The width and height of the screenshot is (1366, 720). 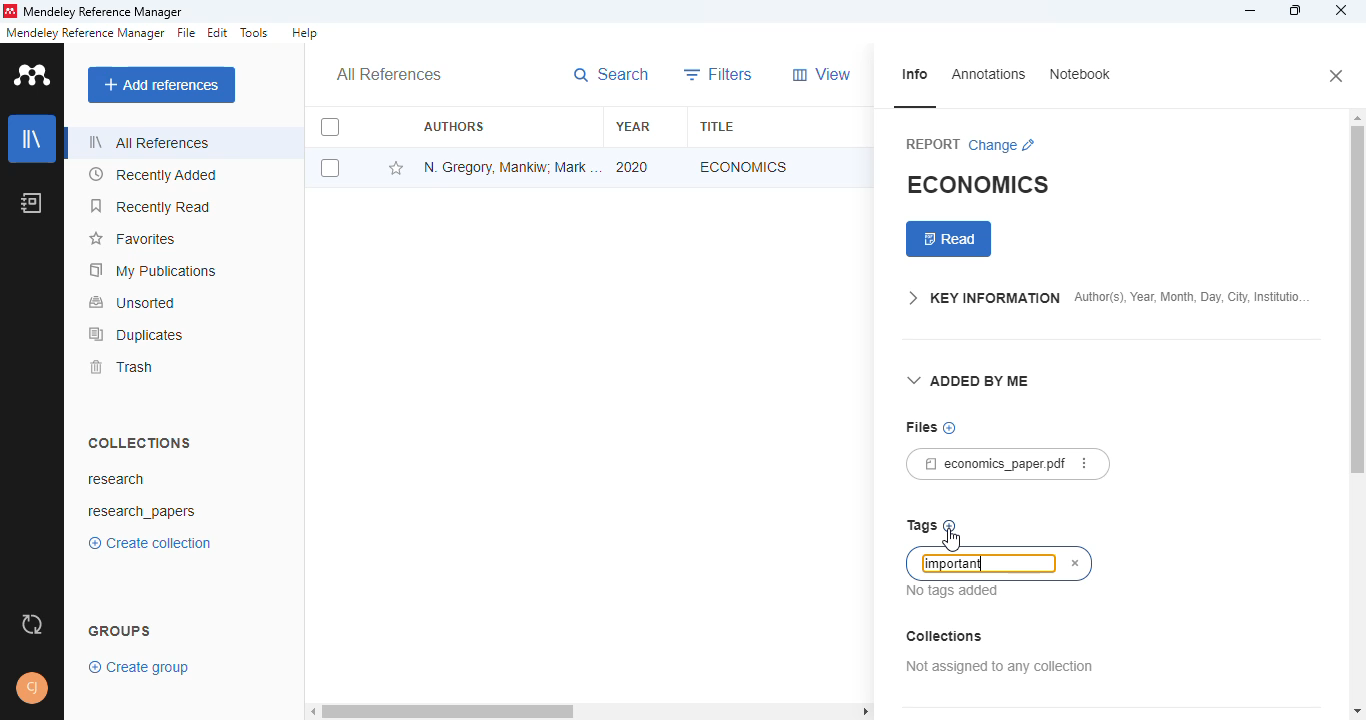 I want to click on no files chosen, so click(x=949, y=428).